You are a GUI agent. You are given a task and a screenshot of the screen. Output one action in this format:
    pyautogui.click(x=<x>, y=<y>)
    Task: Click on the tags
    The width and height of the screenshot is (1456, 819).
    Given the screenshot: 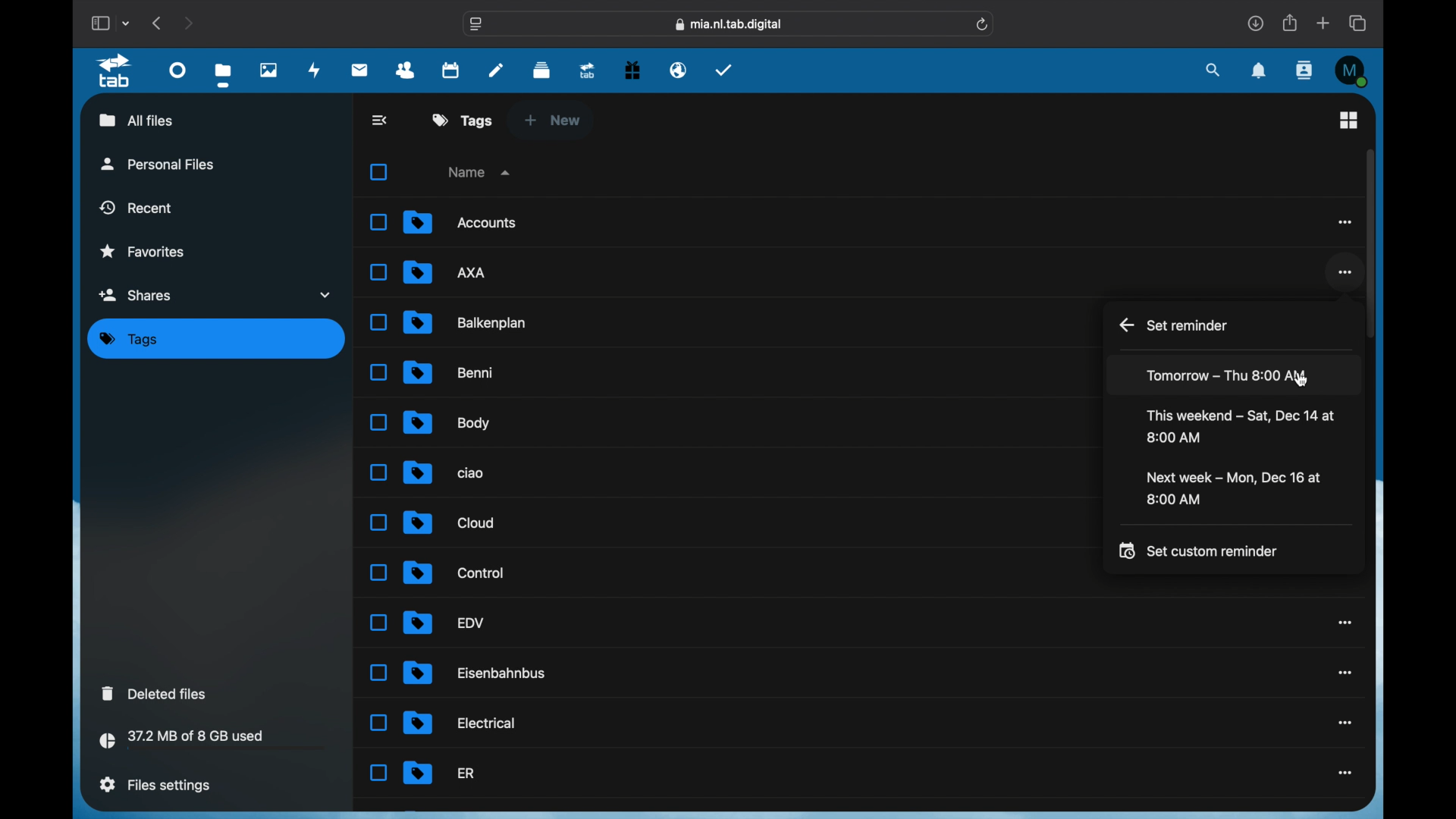 What is the action you would take?
    pyautogui.click(x=129, y=340)
    